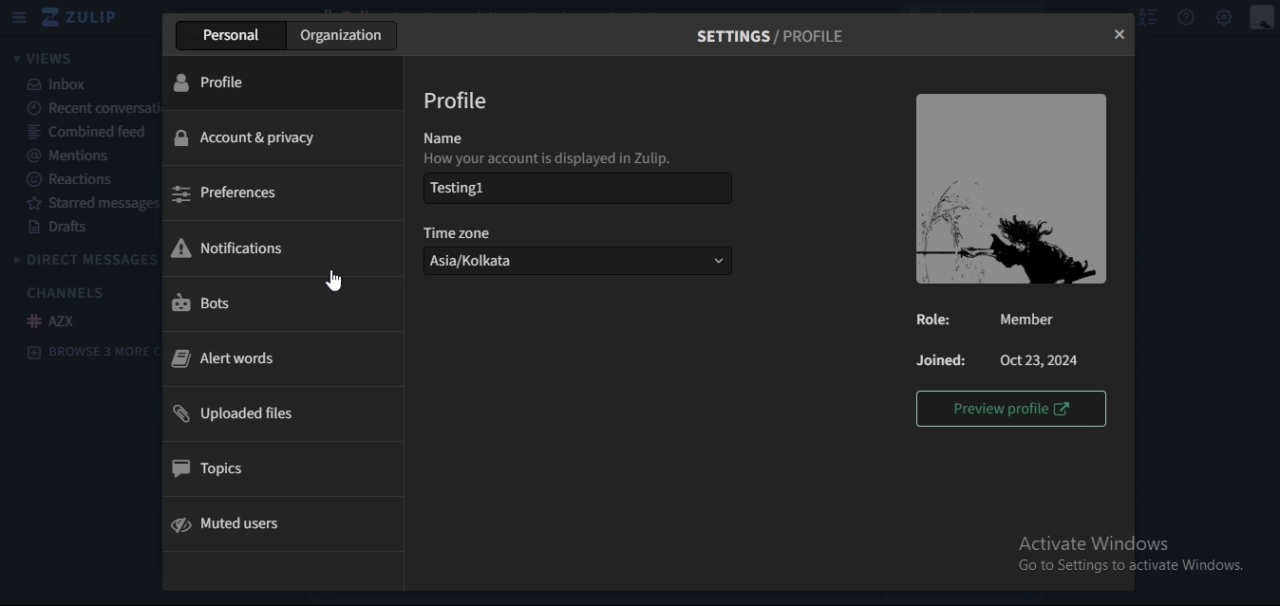  What do you see at coordinates (594, 190) in the screenshot?
I see `Testing 1` at bounding box center [594, 190].